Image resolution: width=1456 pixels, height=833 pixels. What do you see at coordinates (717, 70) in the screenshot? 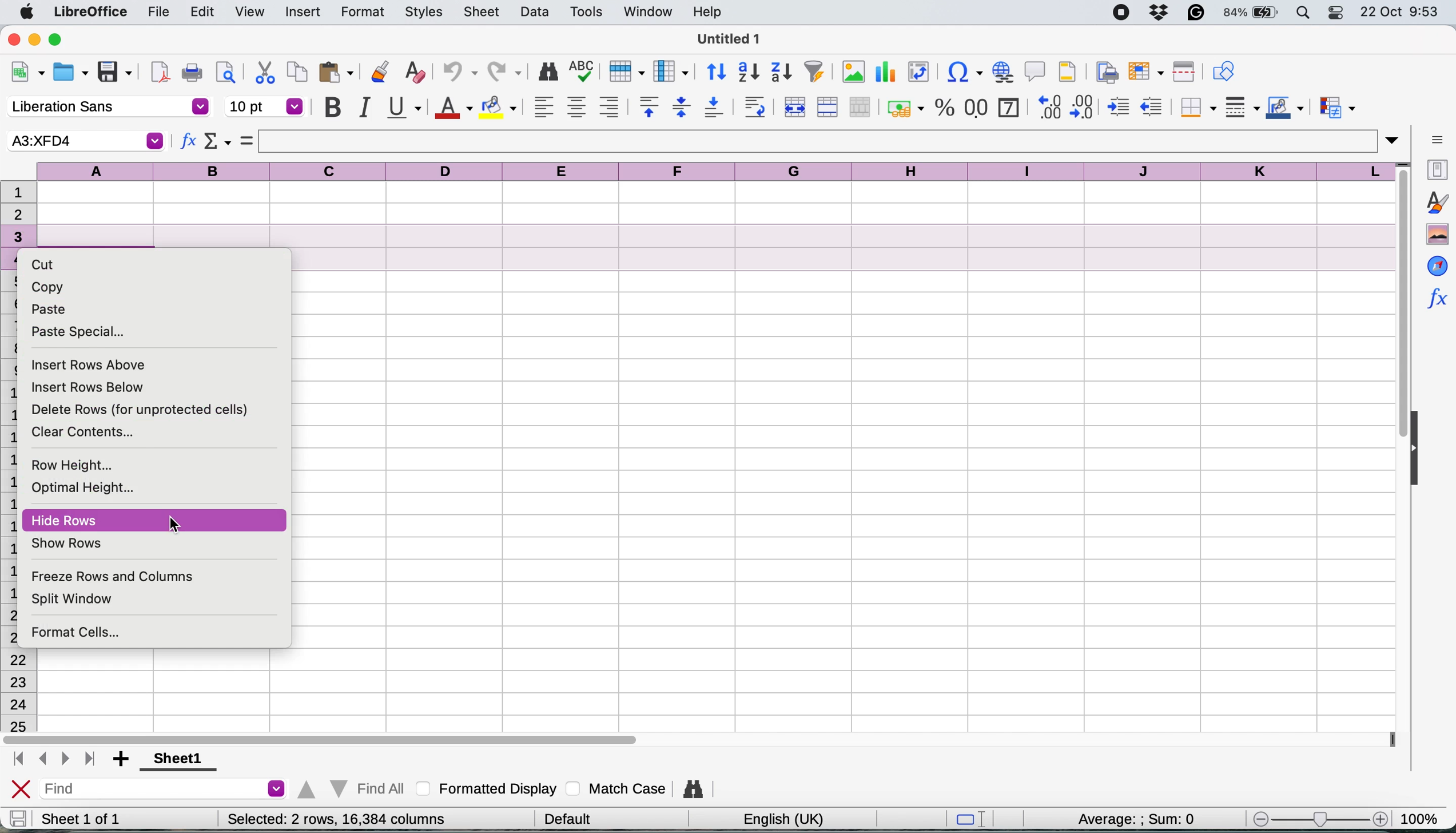
I see `sort` at bounding box center [717, 70].